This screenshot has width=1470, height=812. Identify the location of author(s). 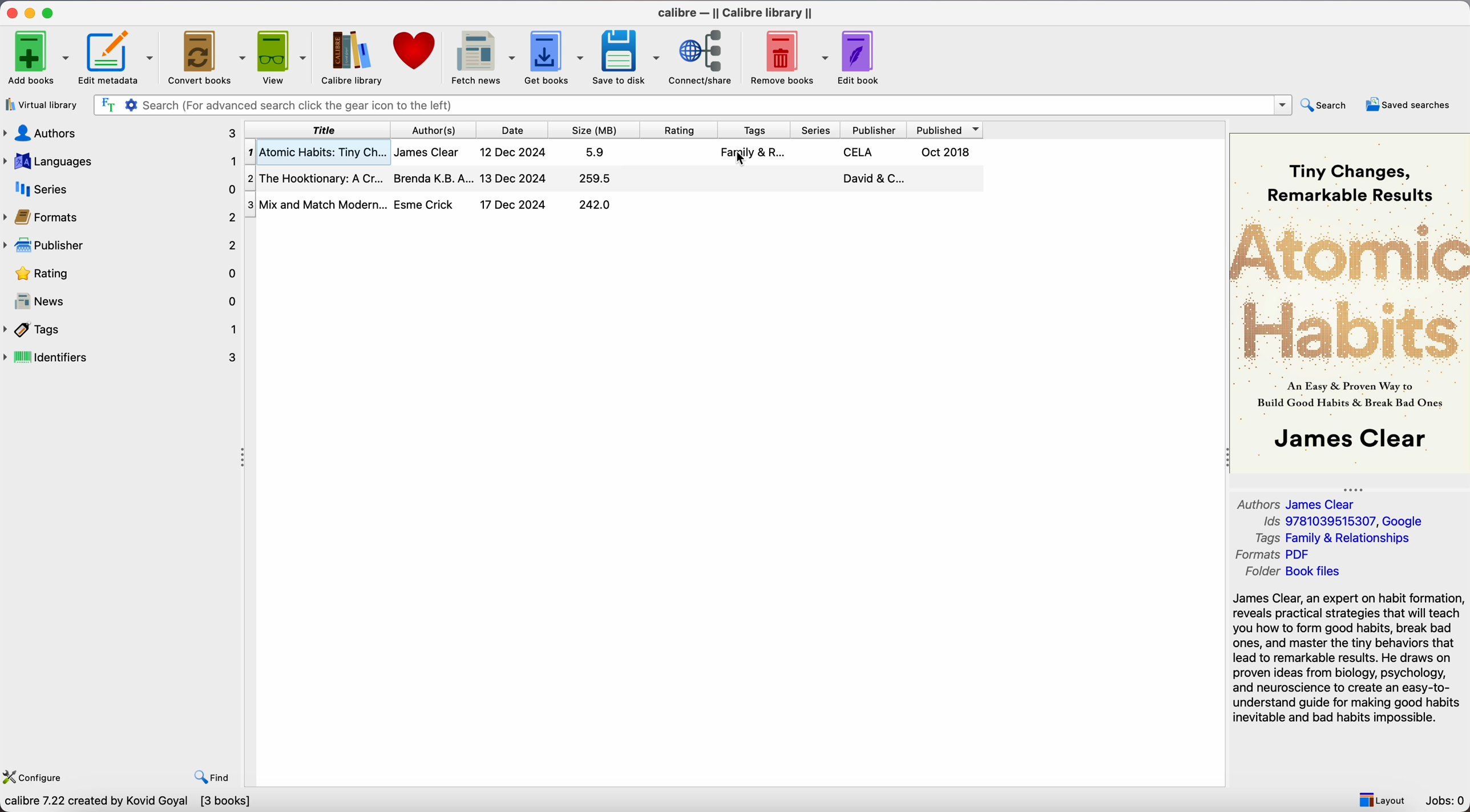
(435, 129).